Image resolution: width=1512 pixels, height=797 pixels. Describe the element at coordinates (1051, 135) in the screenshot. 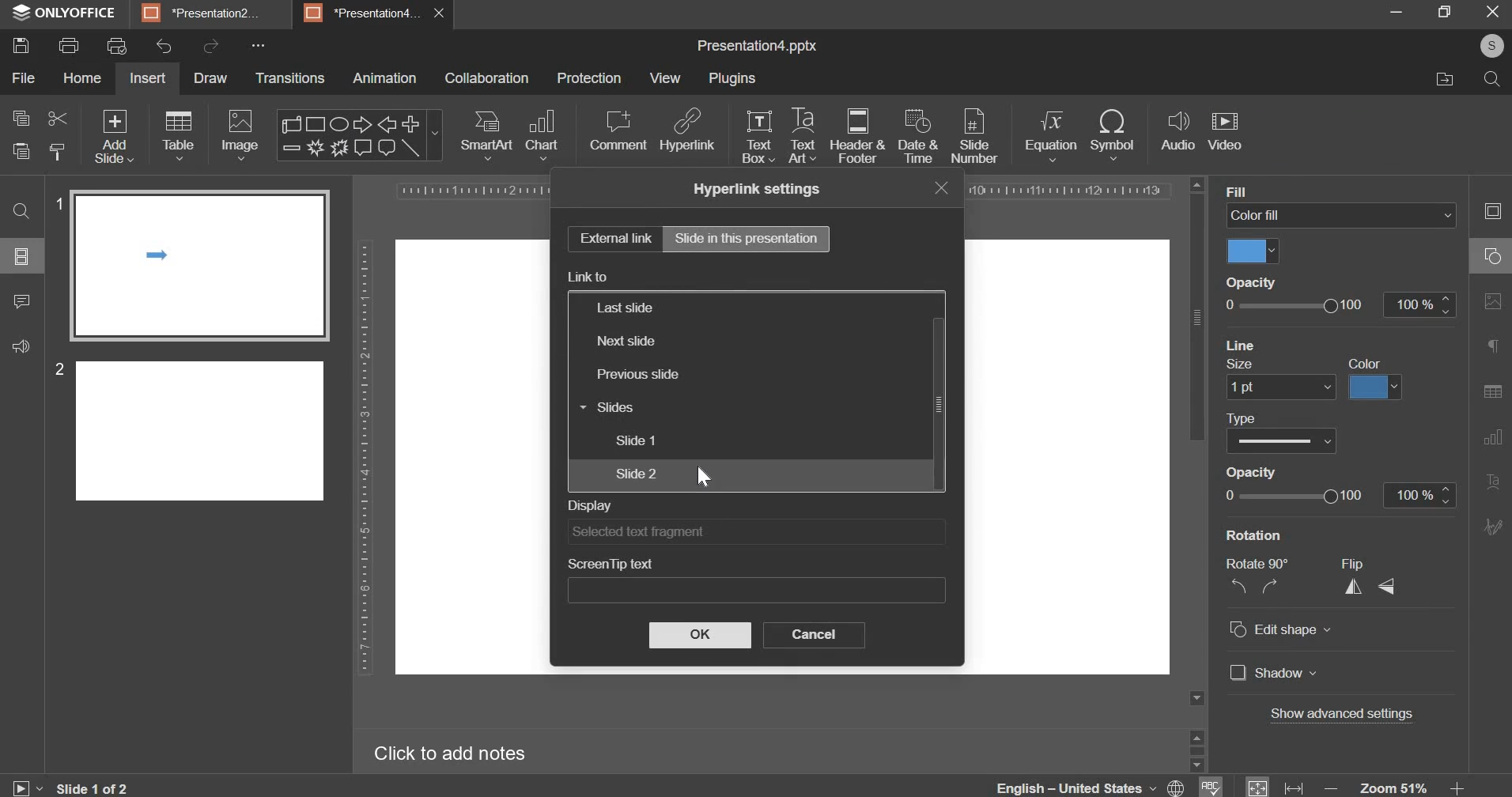

I see `equation` at that location.